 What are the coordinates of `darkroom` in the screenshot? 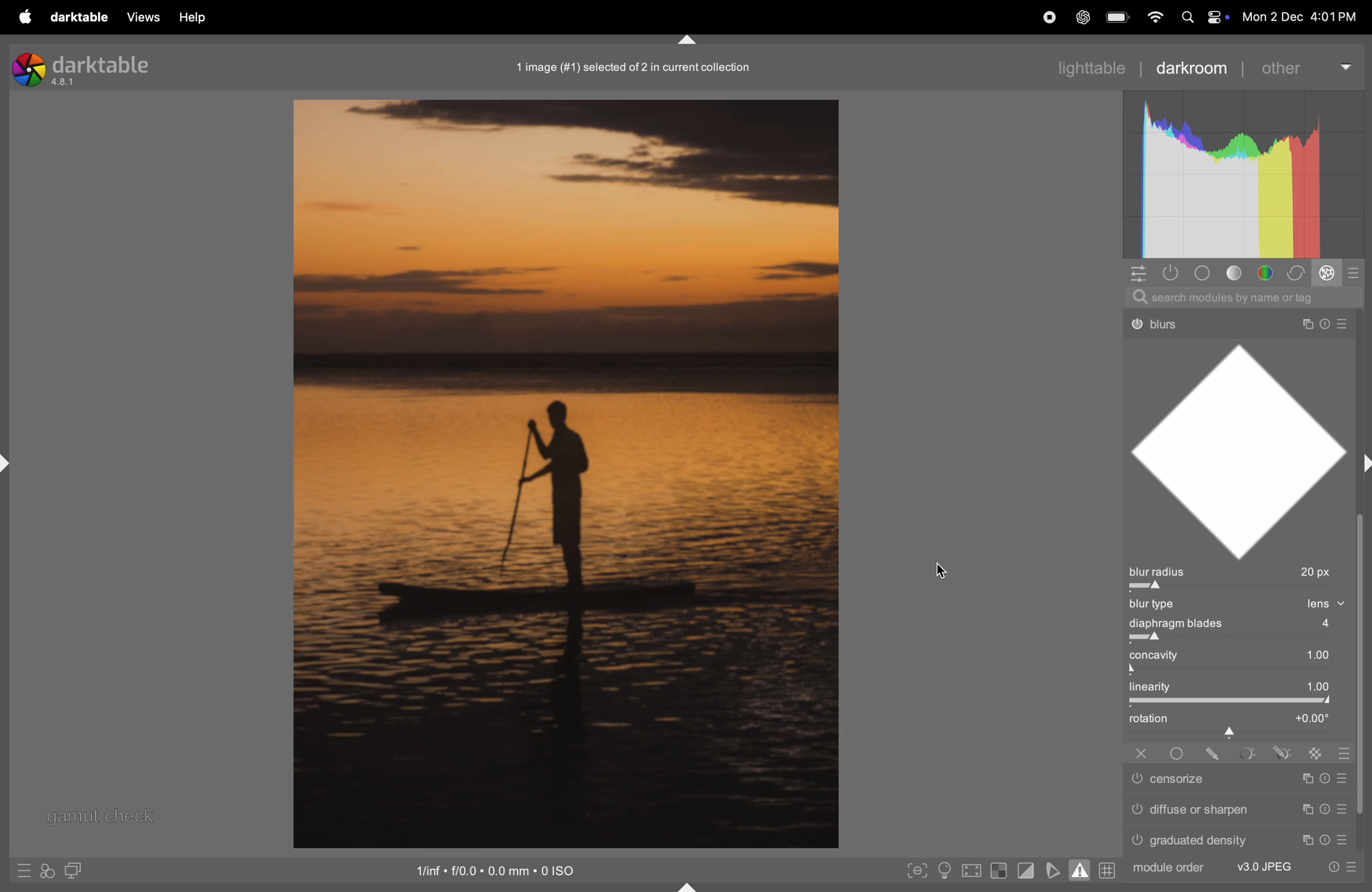 It's located at (1193, 67).